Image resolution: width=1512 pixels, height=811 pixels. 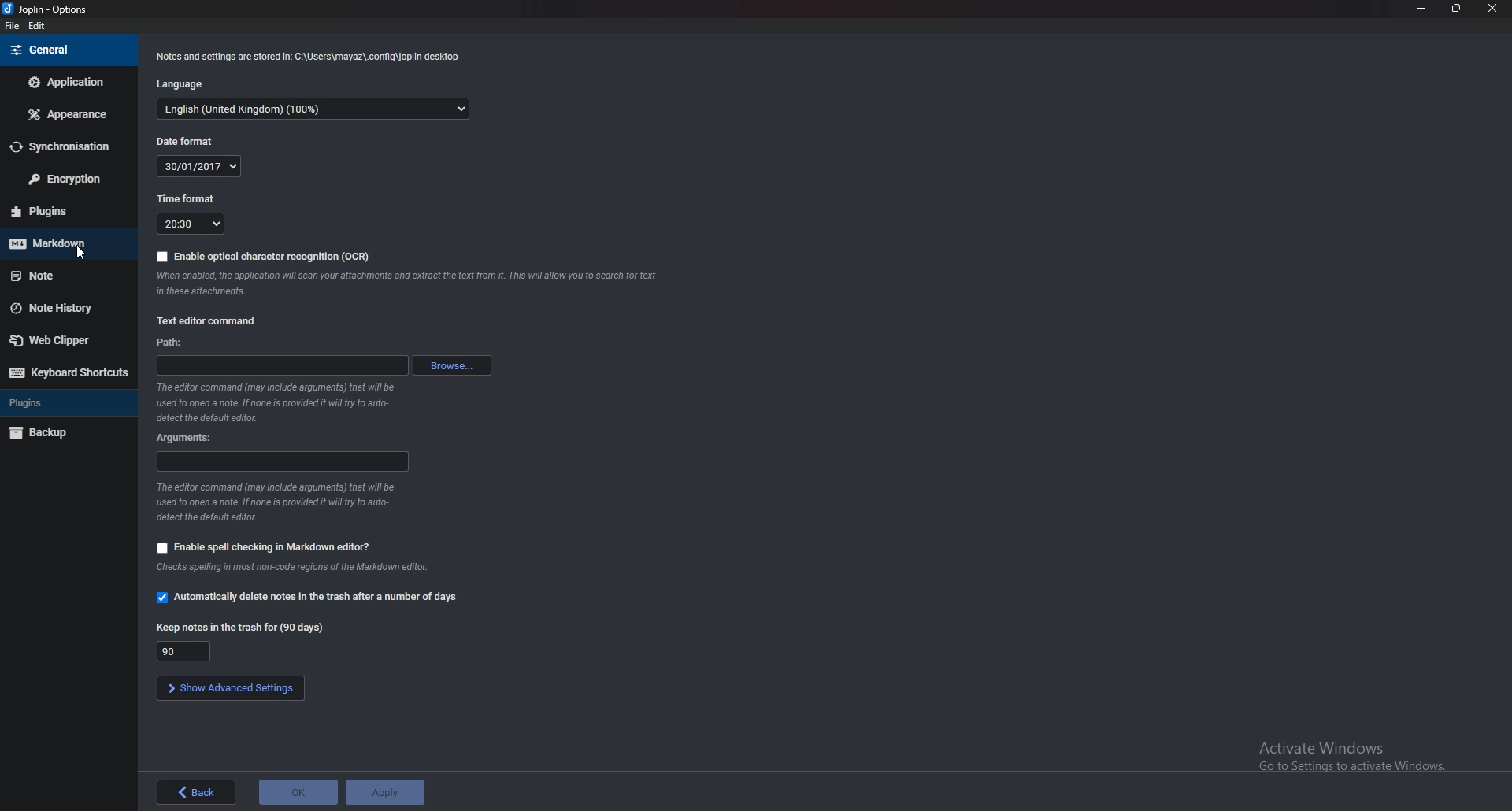 What do you see at coordinates (230, 689) in the screenshot?
I see `show advanced settings` at bounding box center [230, 689].